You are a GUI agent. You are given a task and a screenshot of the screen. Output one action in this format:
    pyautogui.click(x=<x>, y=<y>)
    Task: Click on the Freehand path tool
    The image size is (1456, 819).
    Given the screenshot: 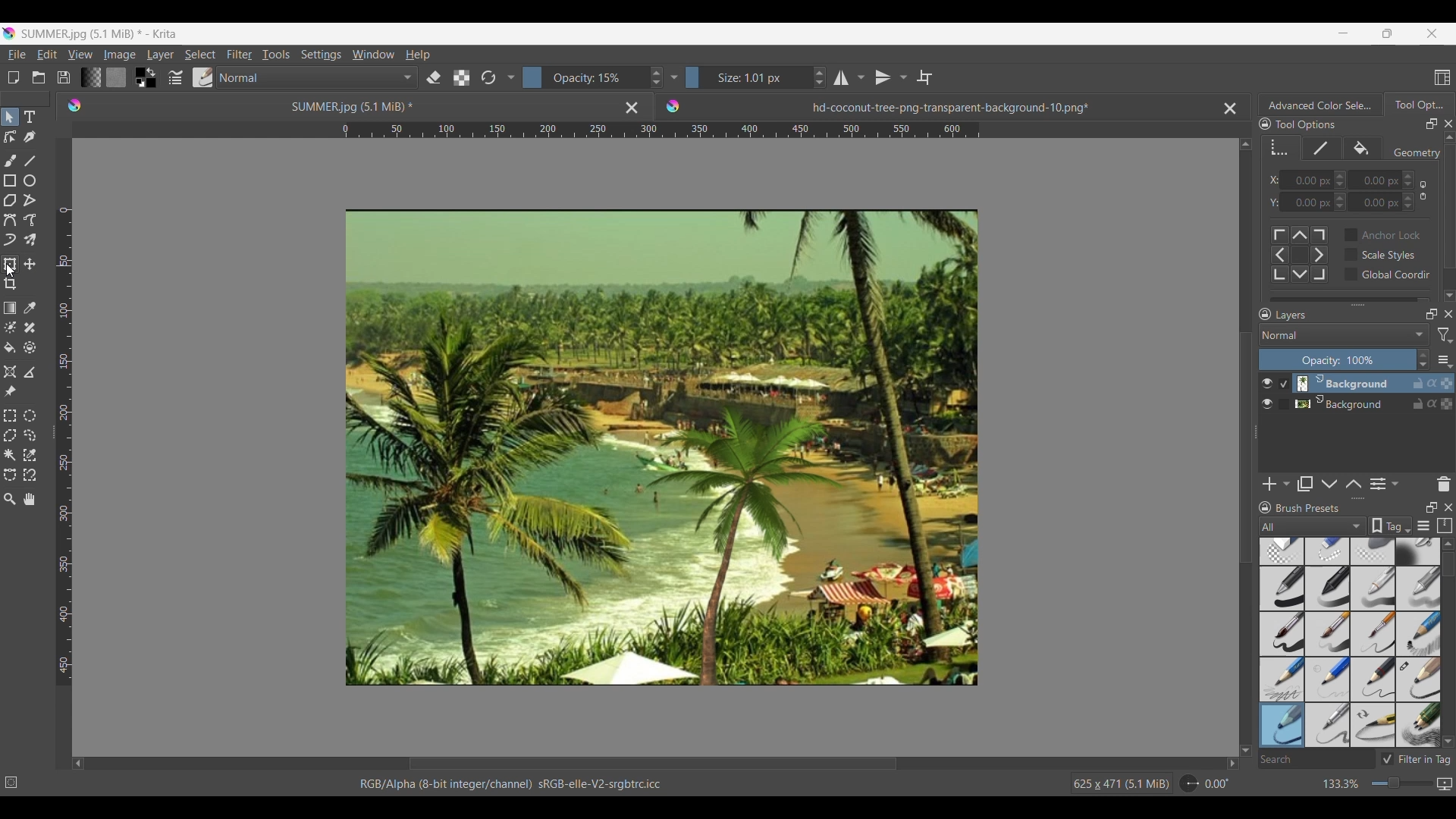 What is the action you would take?
    pyautogui.click(x=29, y=220)
    